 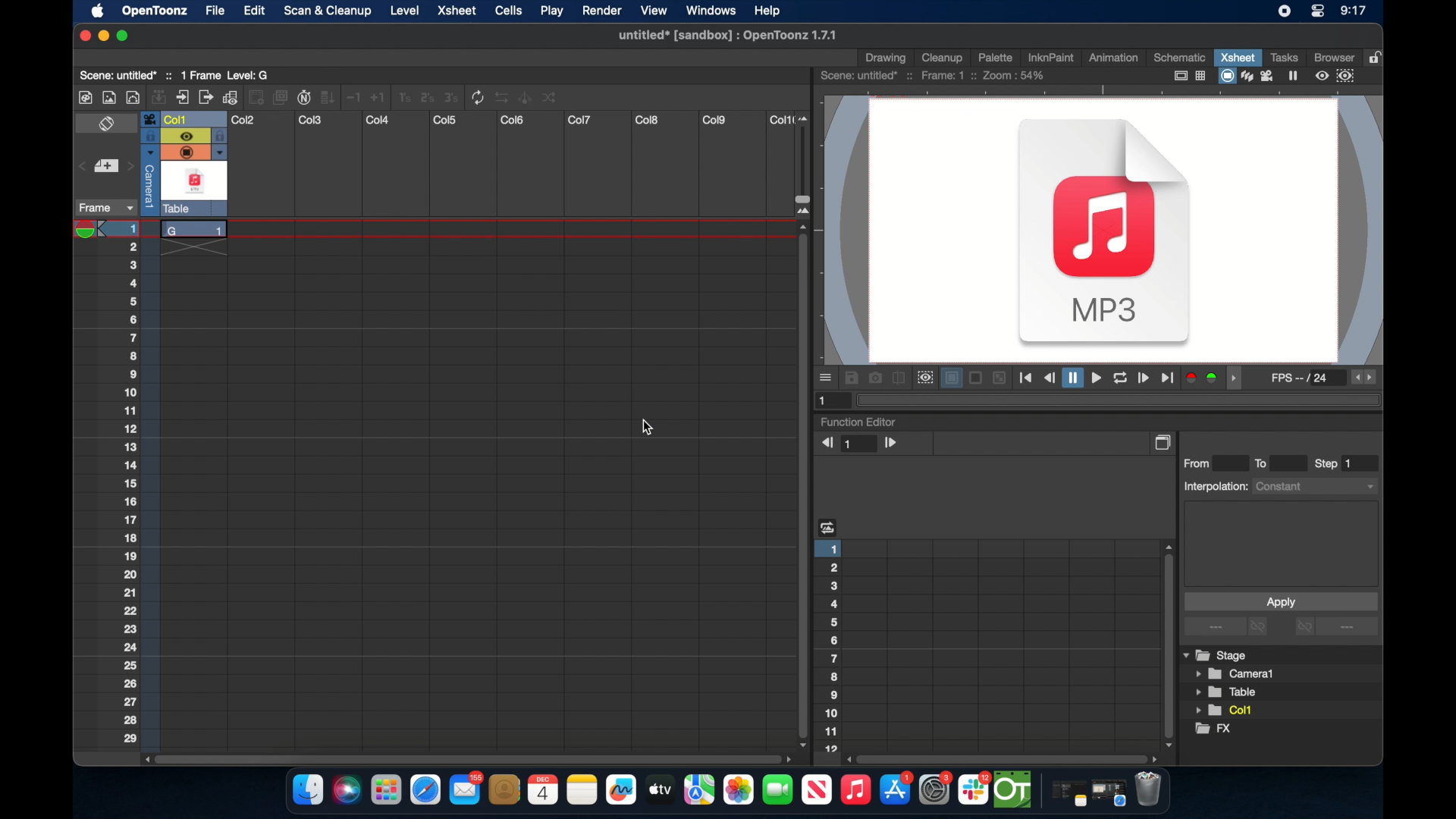 I want to click on playhead, so click(x=90, y=230).